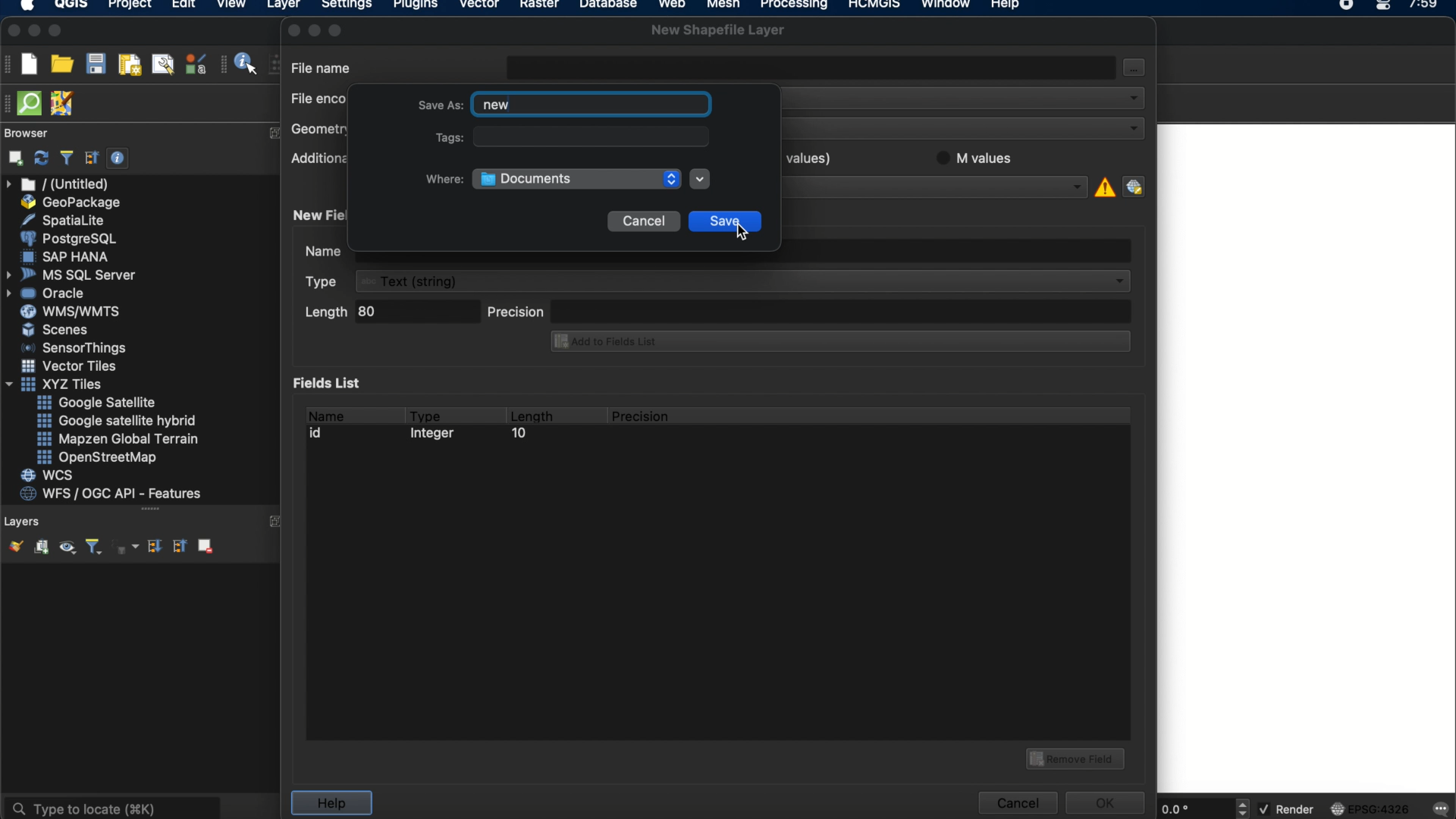  Describe the element at coordinates (25, 6) in the screenshot. I see `apple logo` at that location.